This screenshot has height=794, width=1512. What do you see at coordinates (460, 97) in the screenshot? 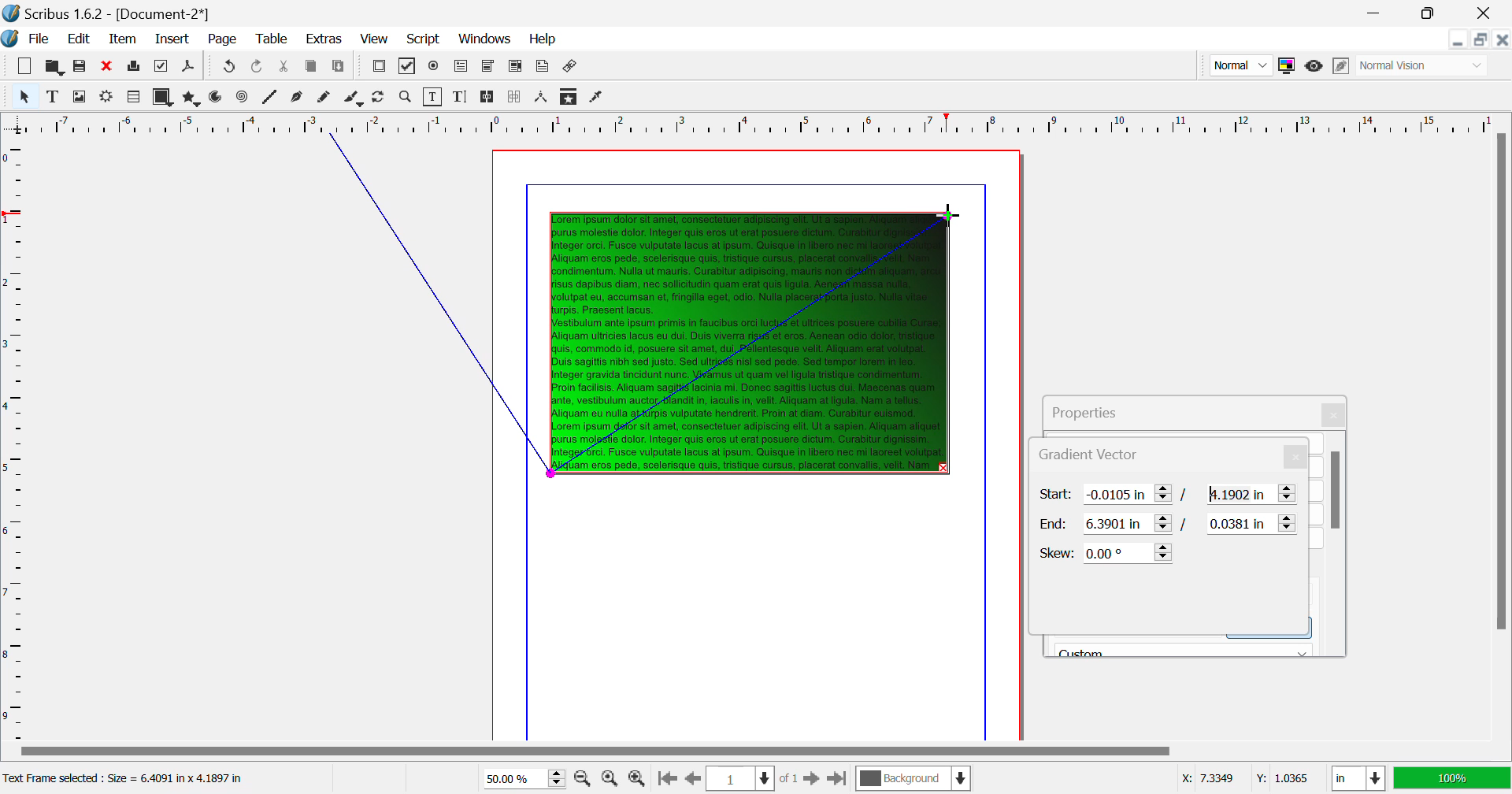
I see `Edit Text with Story Editor` at bounding box center [460, 97].